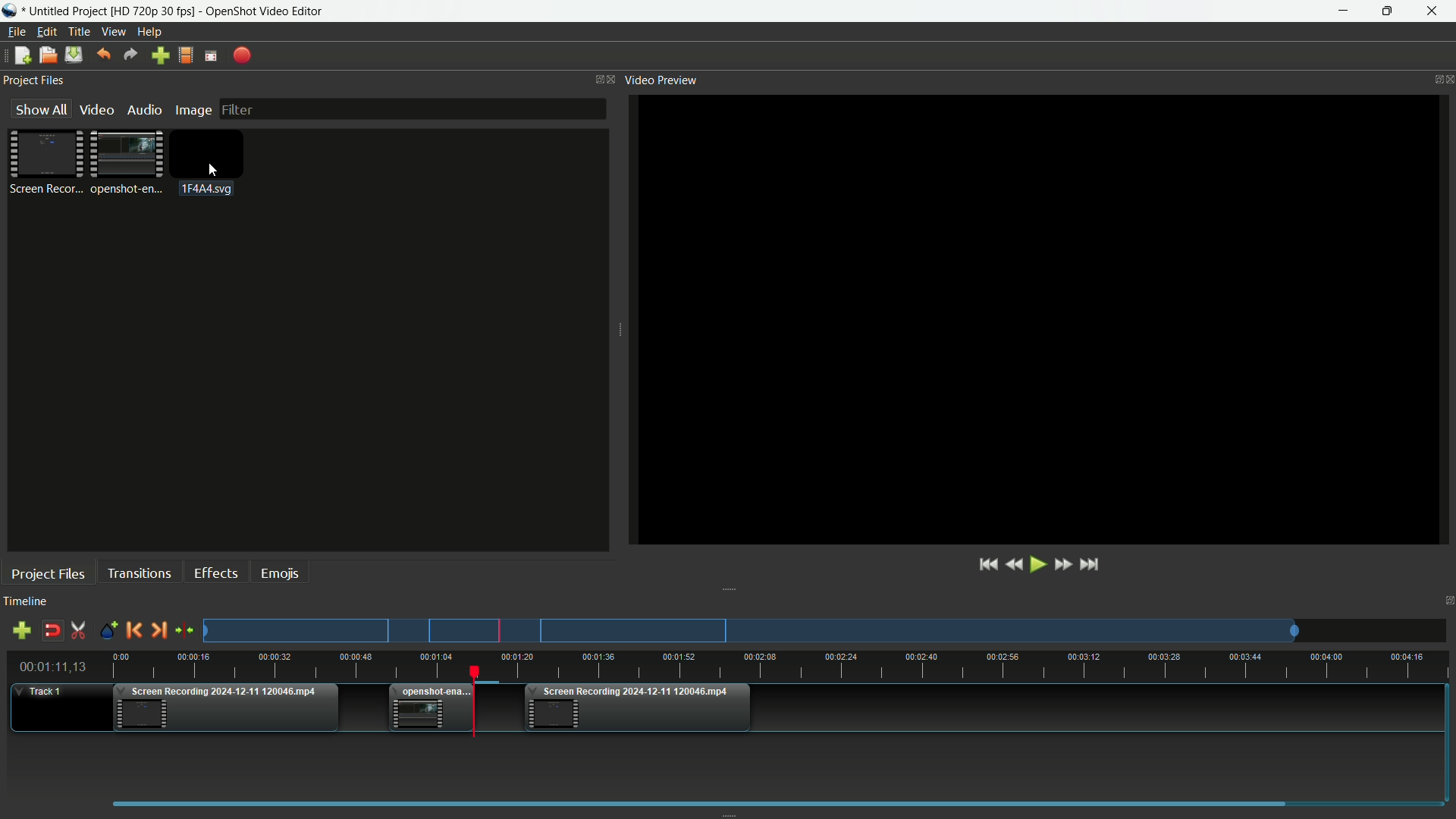  I want to click on Project files, so click(33, 80).